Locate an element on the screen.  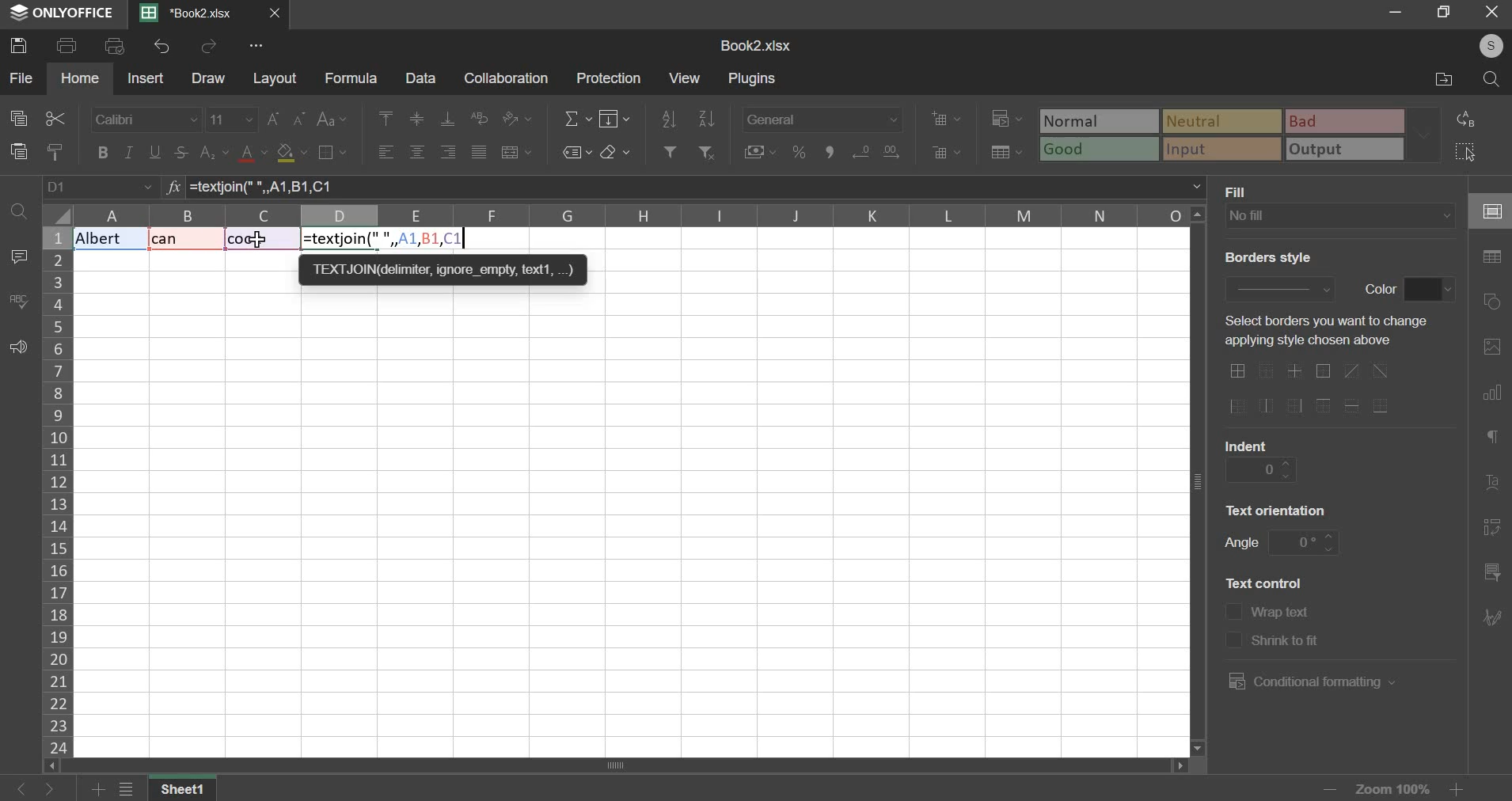
sort descending is located at coordinates (706, 118).